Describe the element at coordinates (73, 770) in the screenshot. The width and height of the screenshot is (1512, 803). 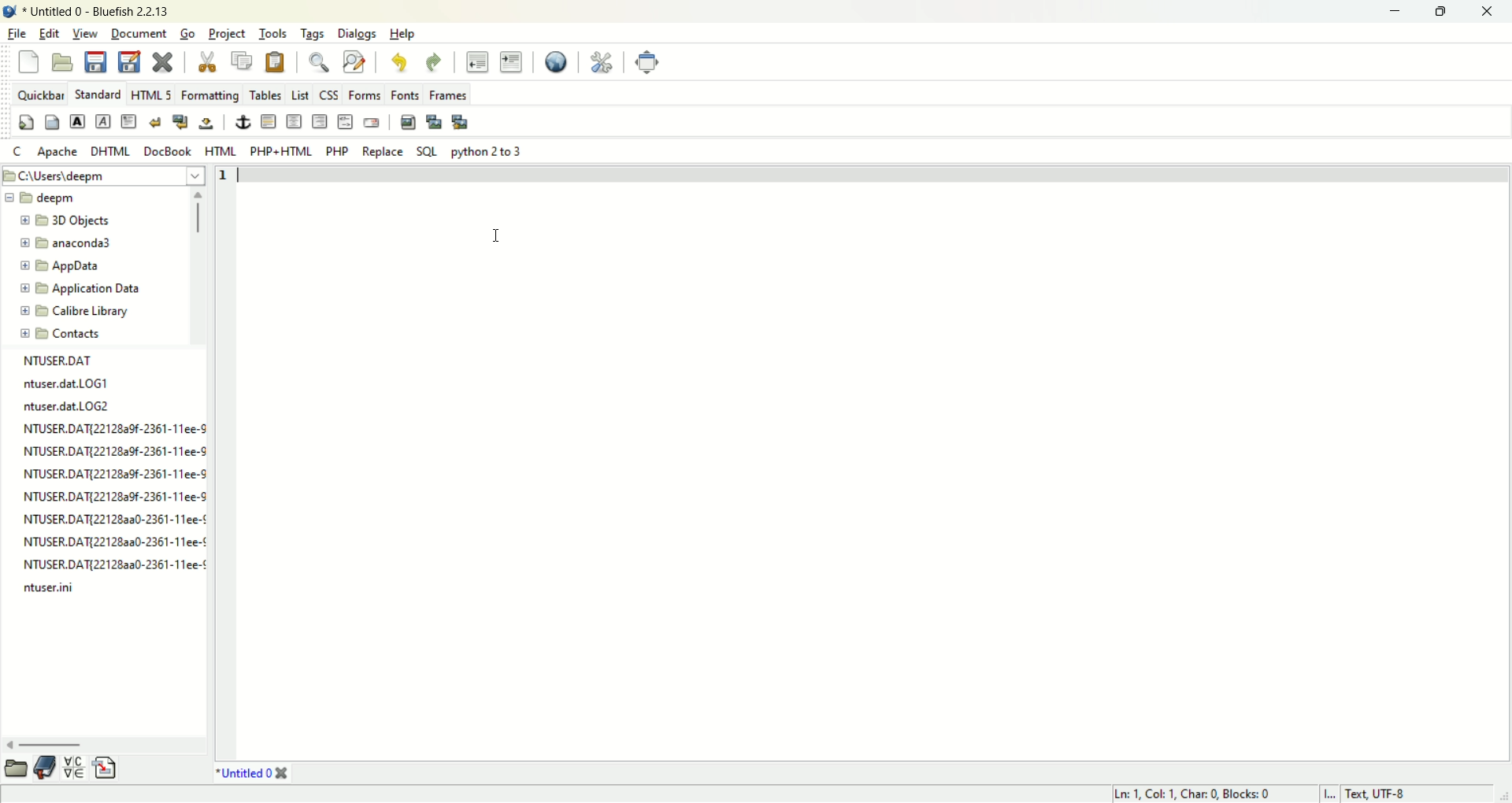
I see `charmap` at that location.